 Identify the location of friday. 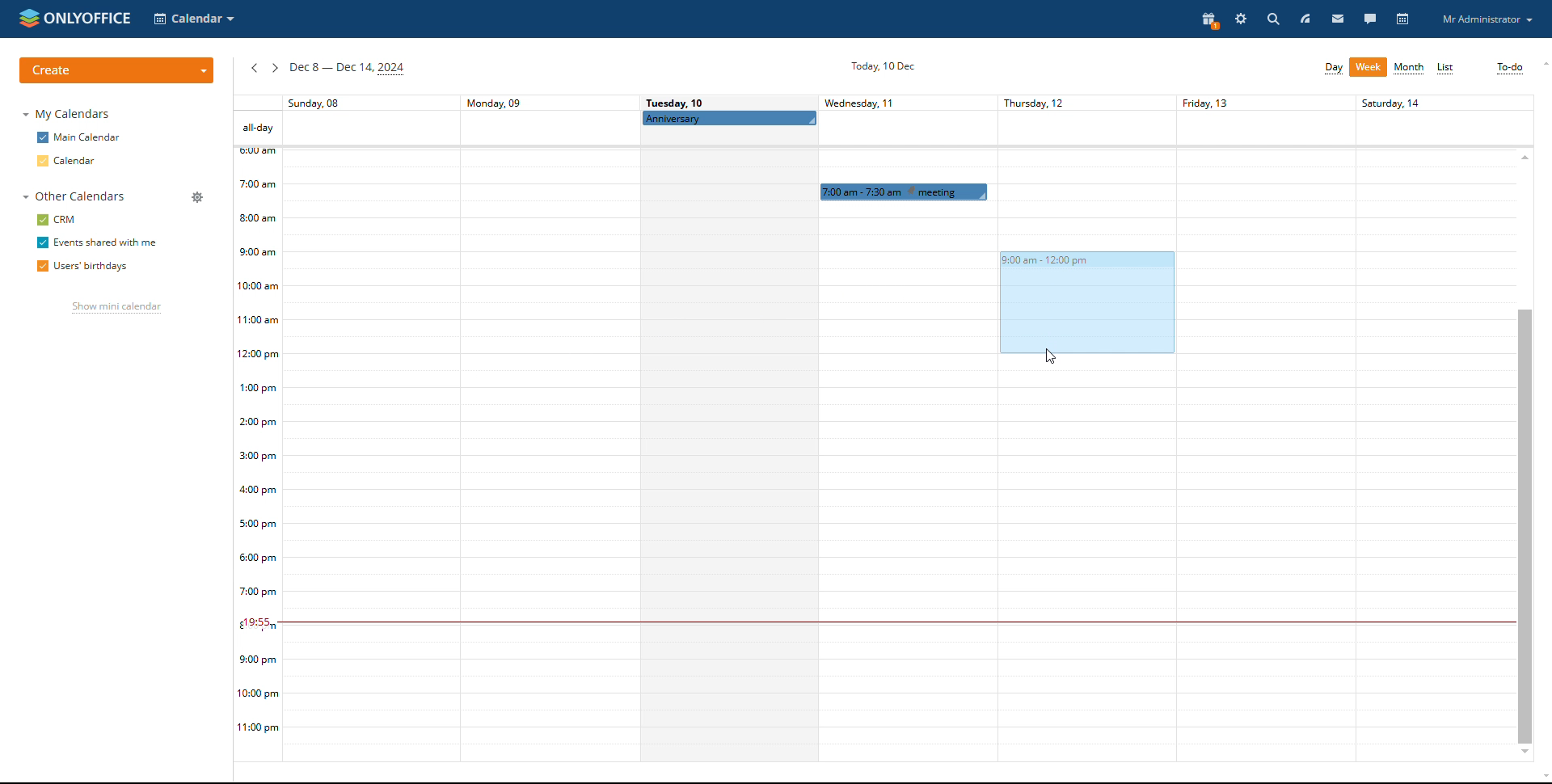
(1262, 428).